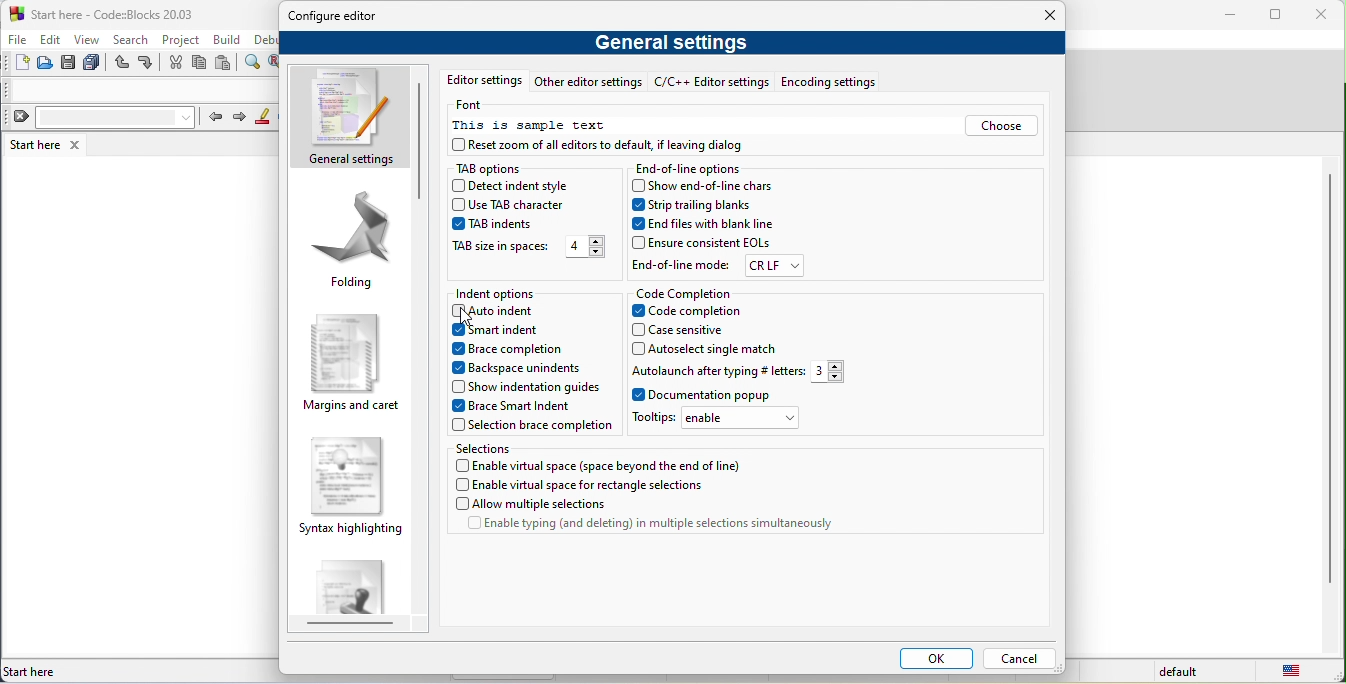 This screenshot has height=684, width=1346. Describe the element at coordinates (696, 333) in the screenshot. I see `case sesitive` at that location.